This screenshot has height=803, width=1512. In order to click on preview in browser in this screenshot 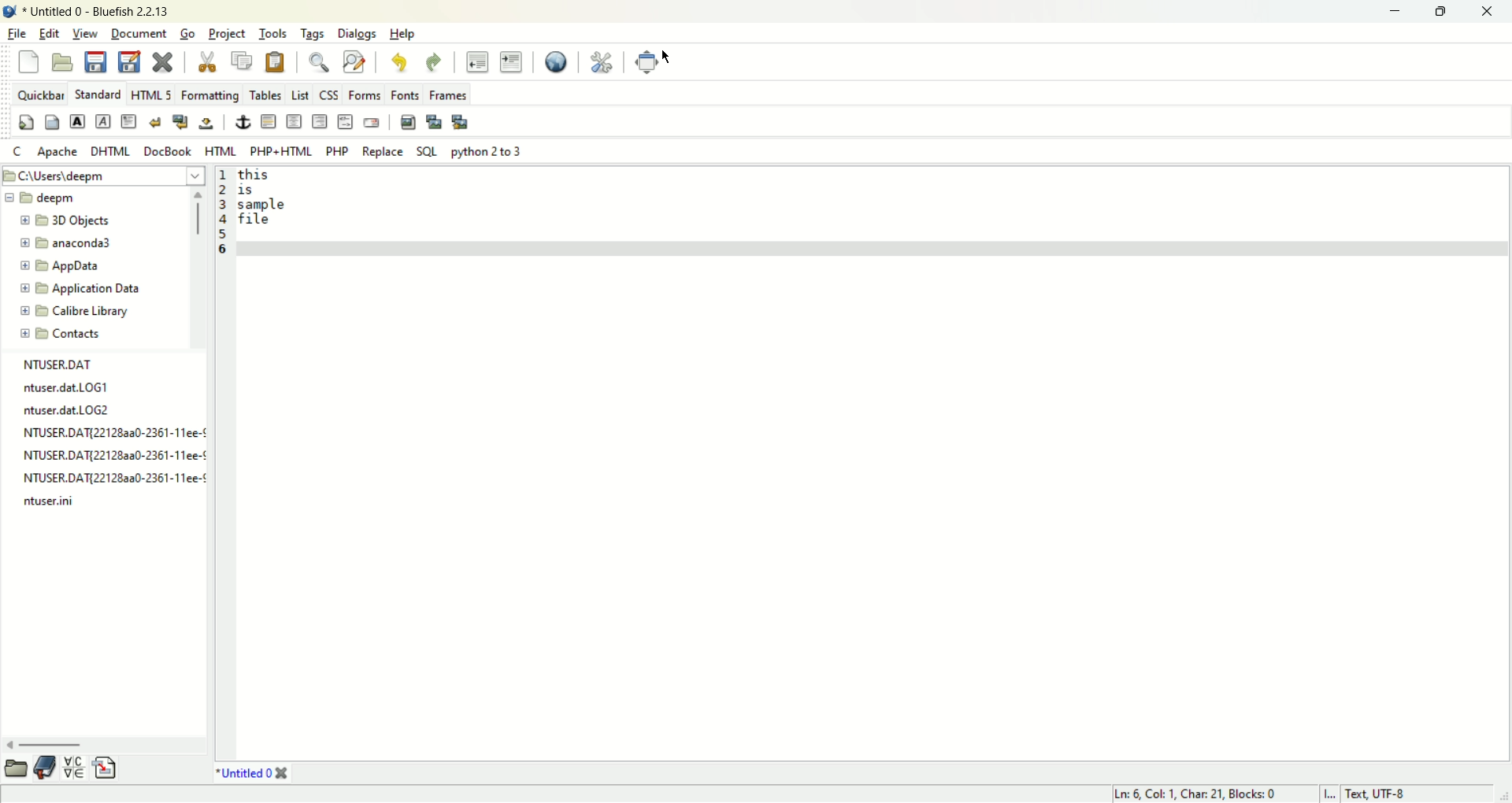, I will do `click(558, 61)`.